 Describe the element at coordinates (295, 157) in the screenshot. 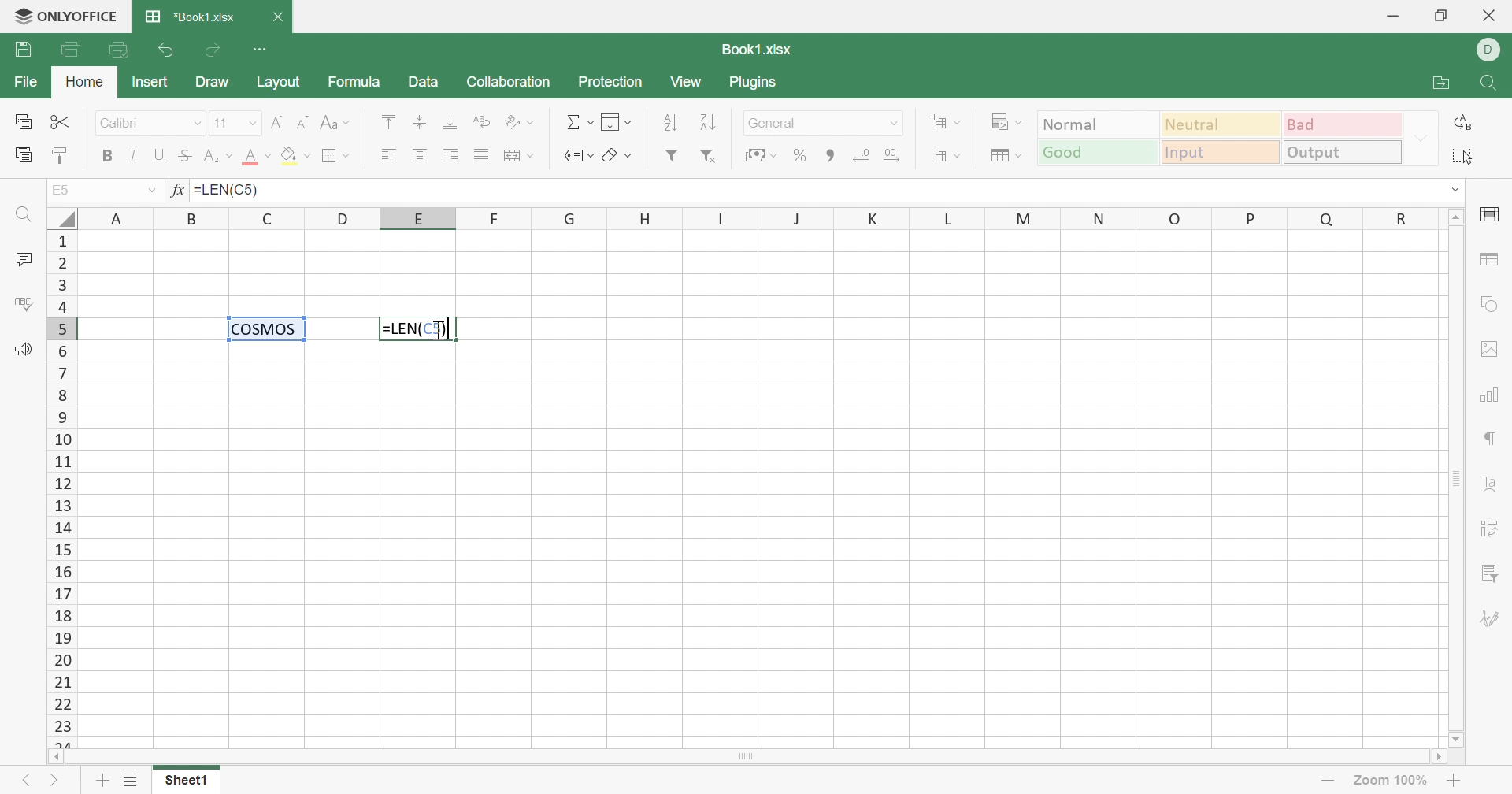

I see `Fill Color` at that location.